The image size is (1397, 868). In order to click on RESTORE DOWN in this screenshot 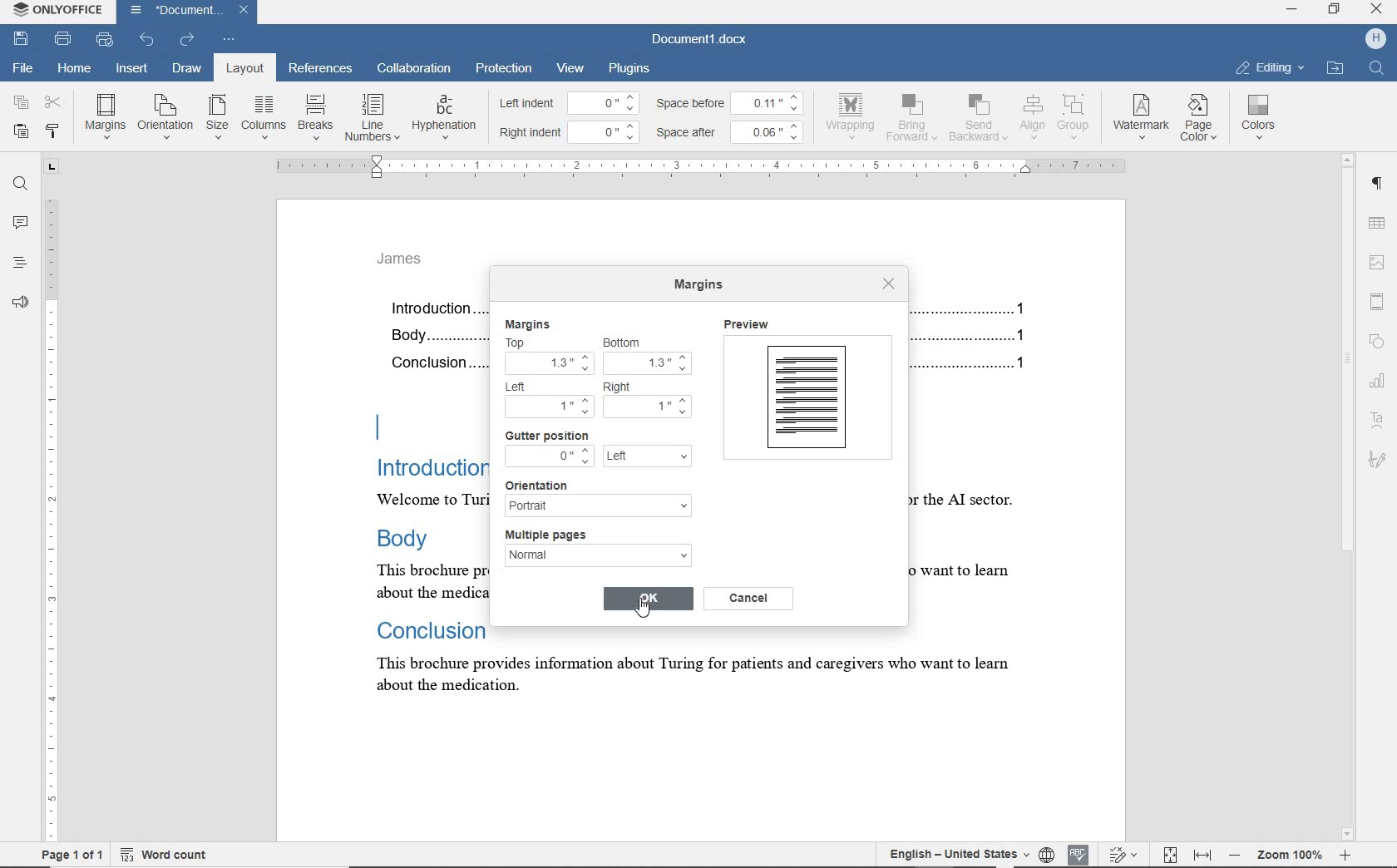, I will do `click(1337, 11)`.